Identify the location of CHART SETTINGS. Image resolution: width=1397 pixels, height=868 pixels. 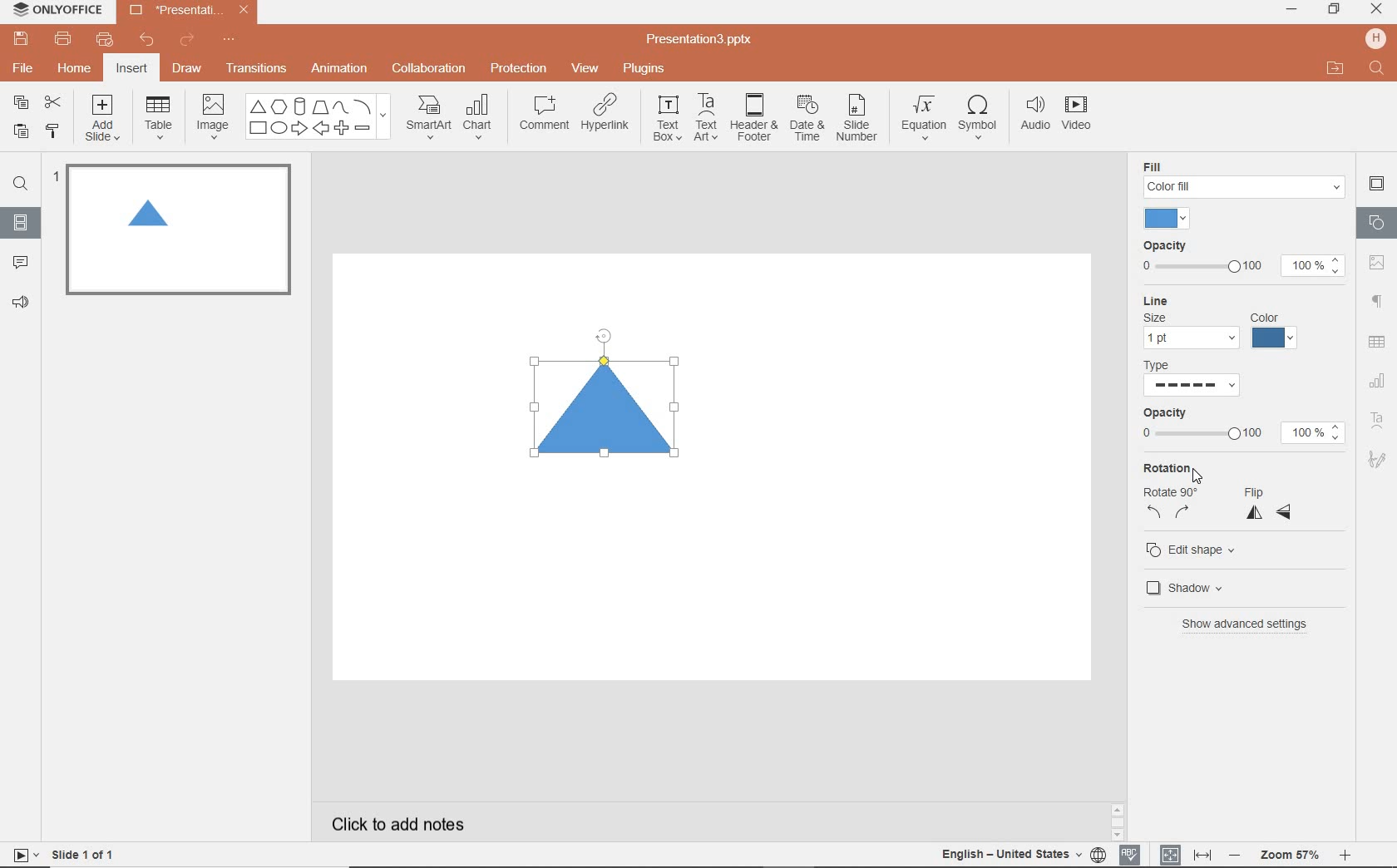
(1378, 379).